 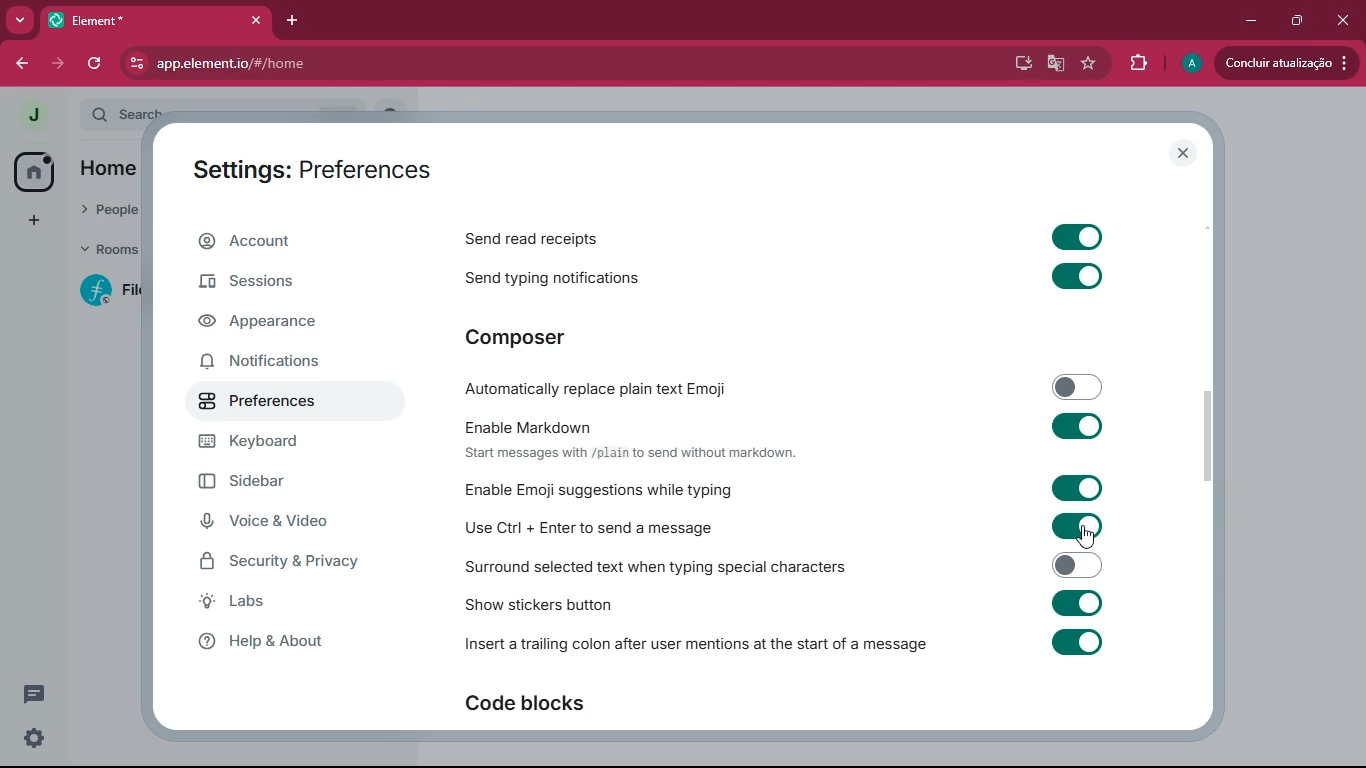 I want to click on notifications, so click(x=277, y=364).